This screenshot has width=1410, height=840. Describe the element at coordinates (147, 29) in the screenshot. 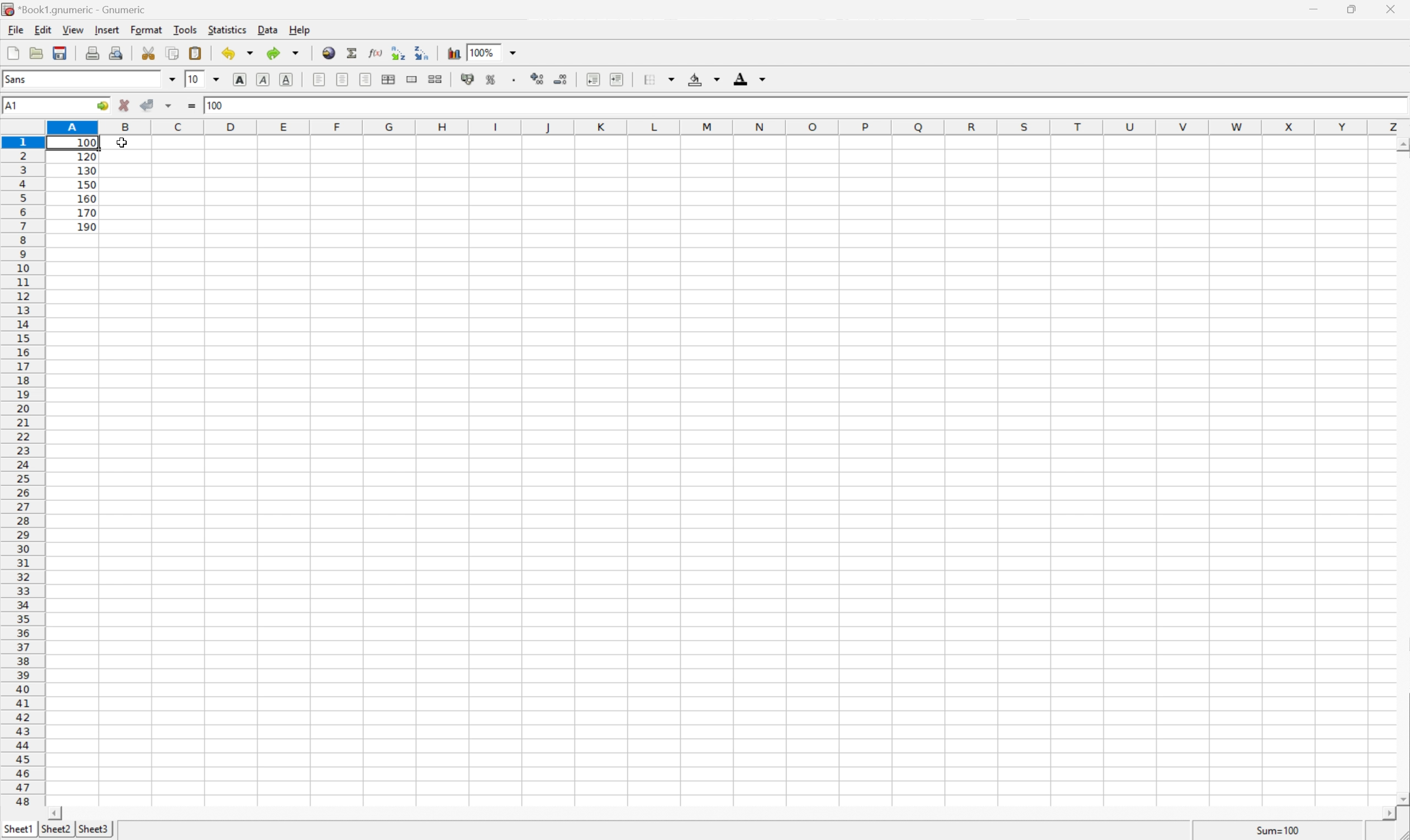

I see `Format` at that location.